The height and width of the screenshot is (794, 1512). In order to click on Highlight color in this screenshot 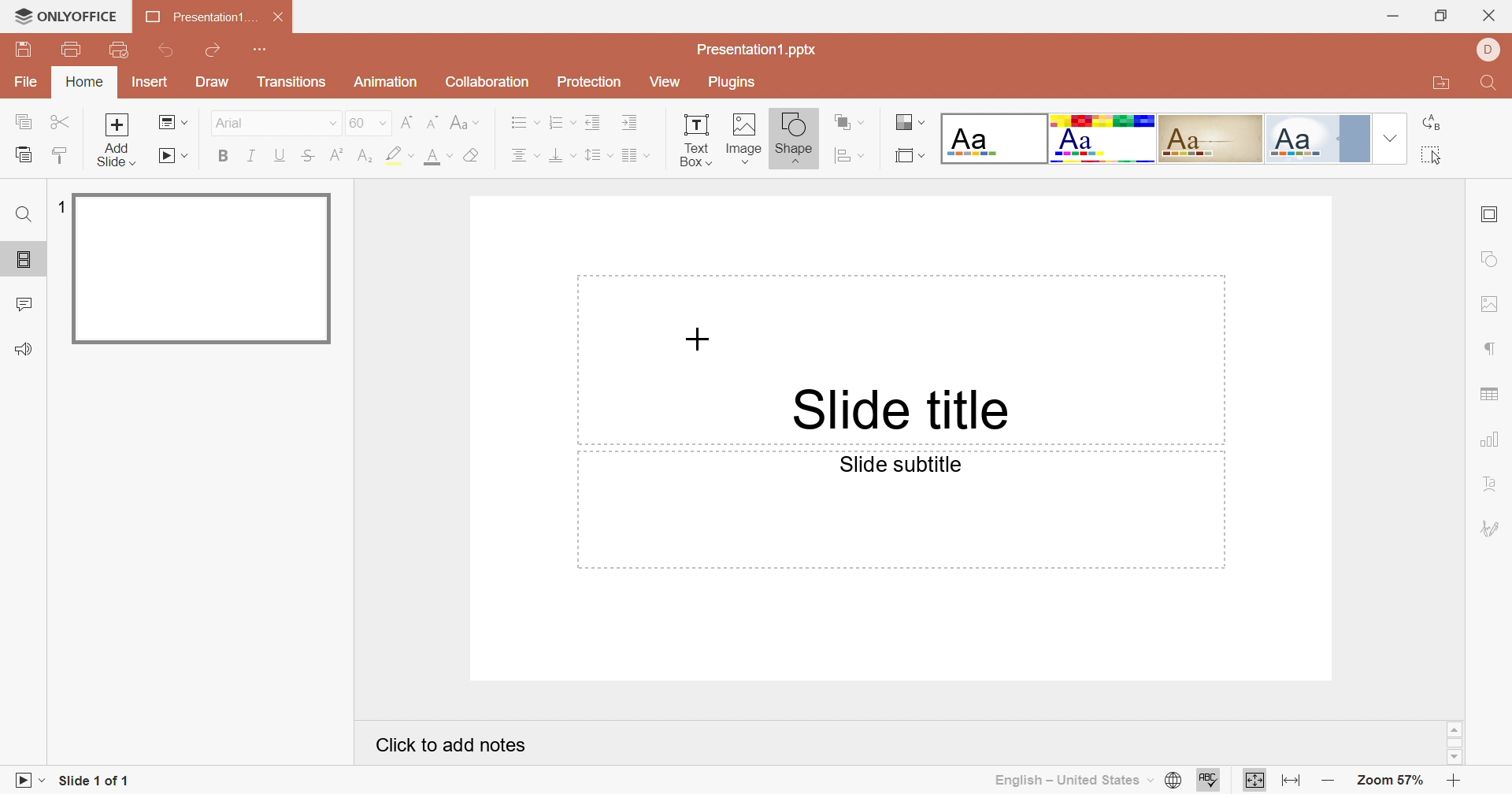, I will do `click(402, 156)`.